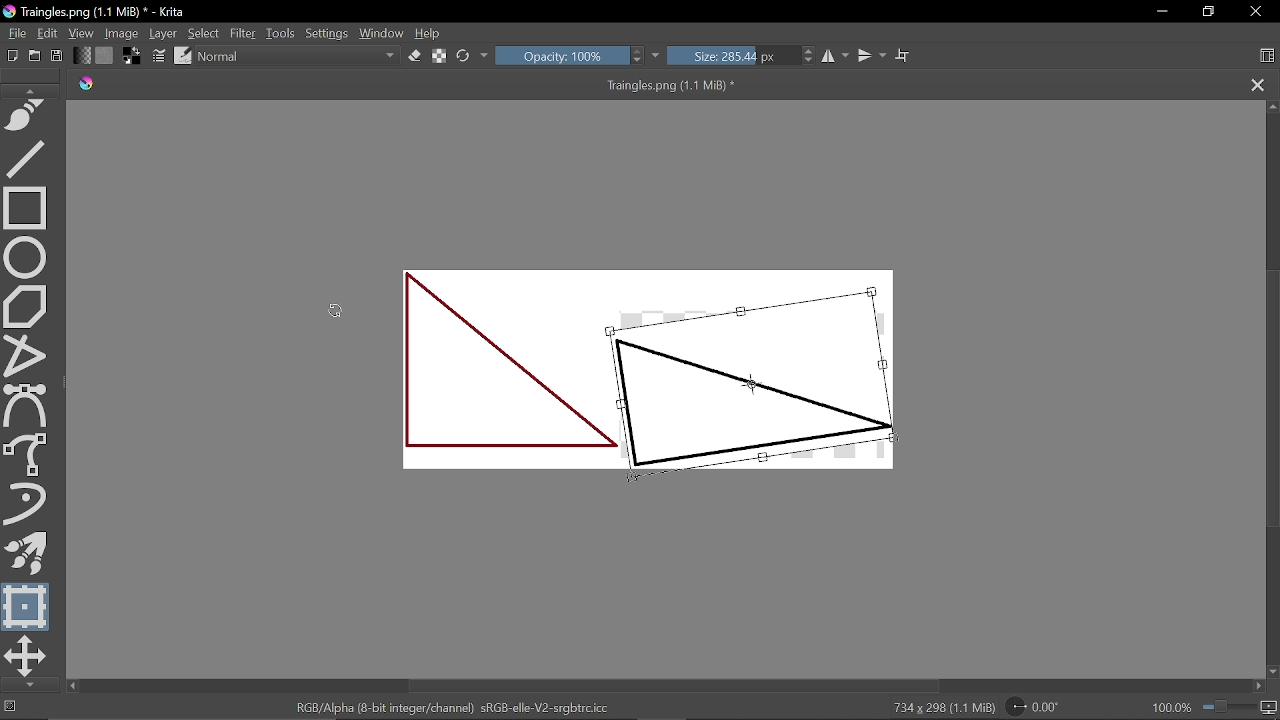  Describe the element at coordinates (328, 35) in the screenshot. I see `Settings` at that location.